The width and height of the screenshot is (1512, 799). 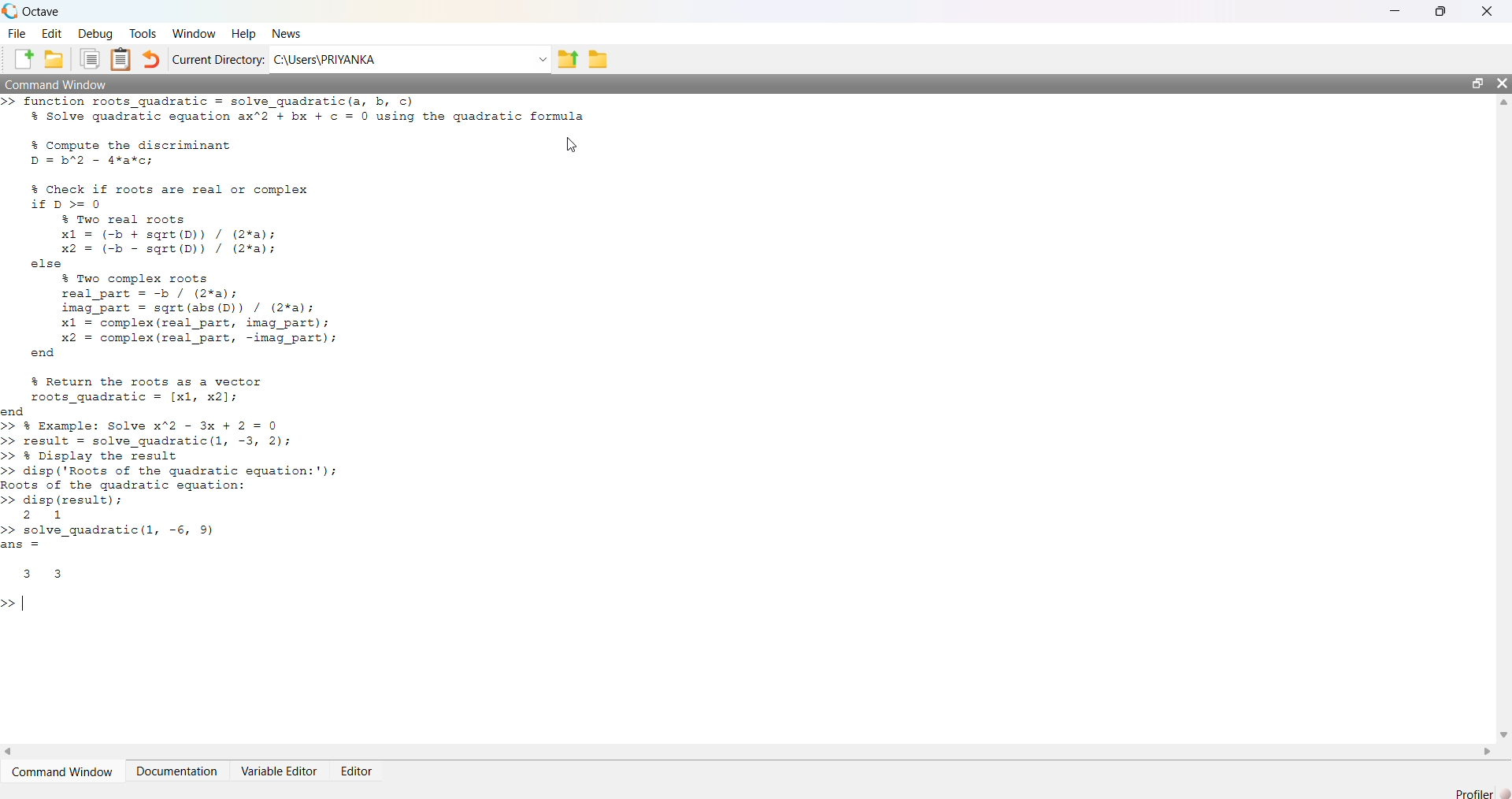 What do you see at coordinates (179, 770) in the screenshot?
I see `Documentation` at bounding box center [179, 770].